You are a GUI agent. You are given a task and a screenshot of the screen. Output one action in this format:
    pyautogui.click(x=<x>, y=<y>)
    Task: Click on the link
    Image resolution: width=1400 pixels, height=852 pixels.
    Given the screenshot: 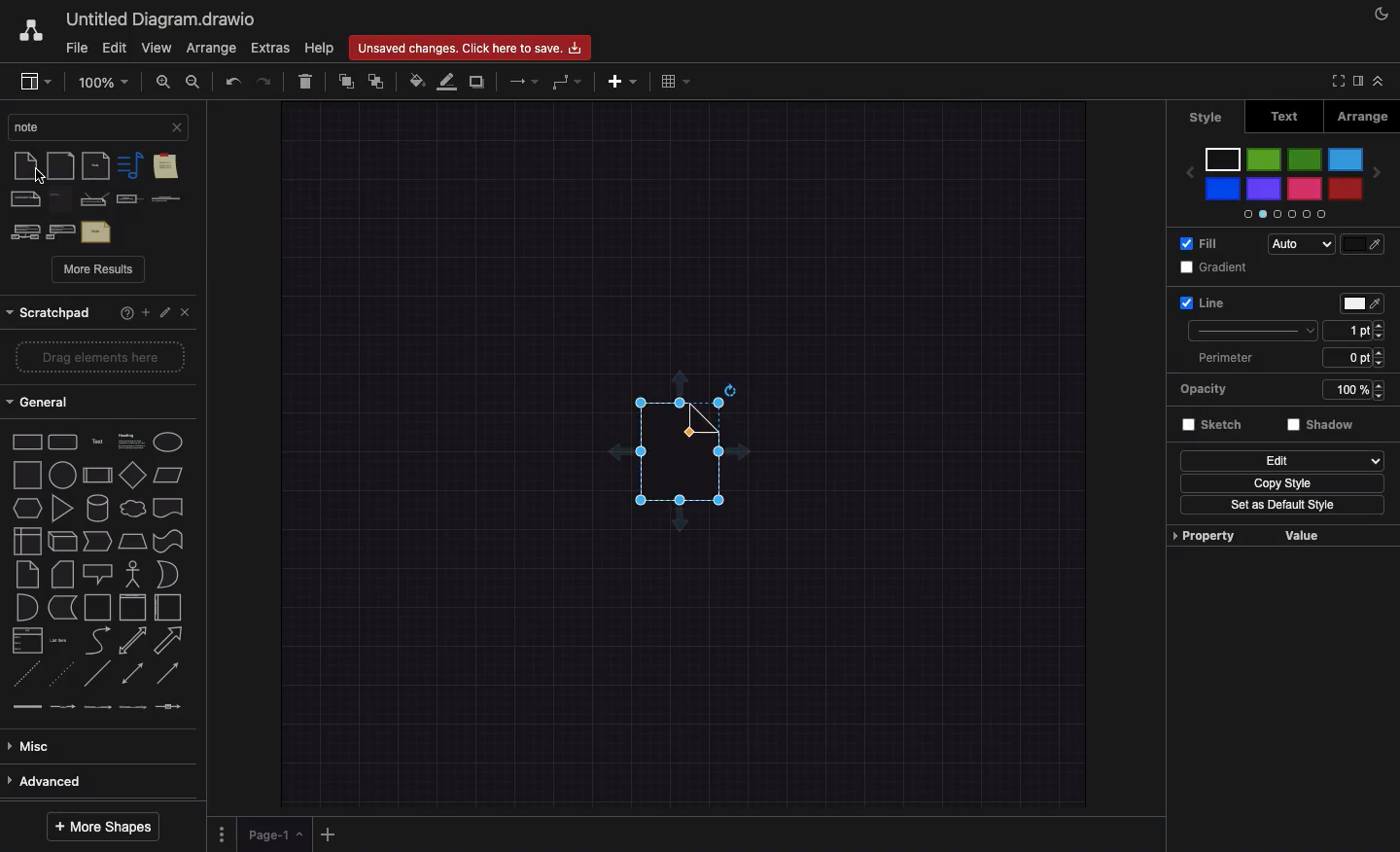 What is the action you would take?
    pyautogui.click(x=27, y=711)
    